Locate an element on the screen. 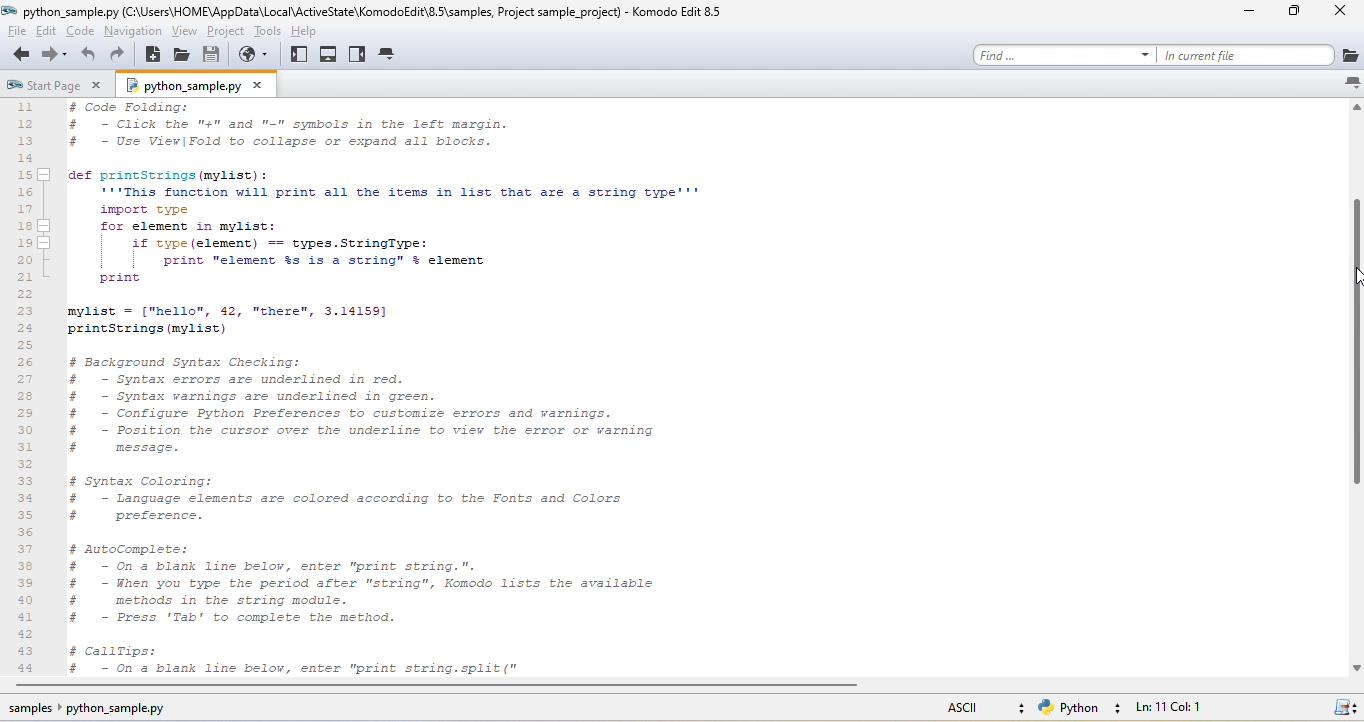 Image resolution: width=1364 pixels, height=722 pixels. minimize is located at coordinates (1254, 12).